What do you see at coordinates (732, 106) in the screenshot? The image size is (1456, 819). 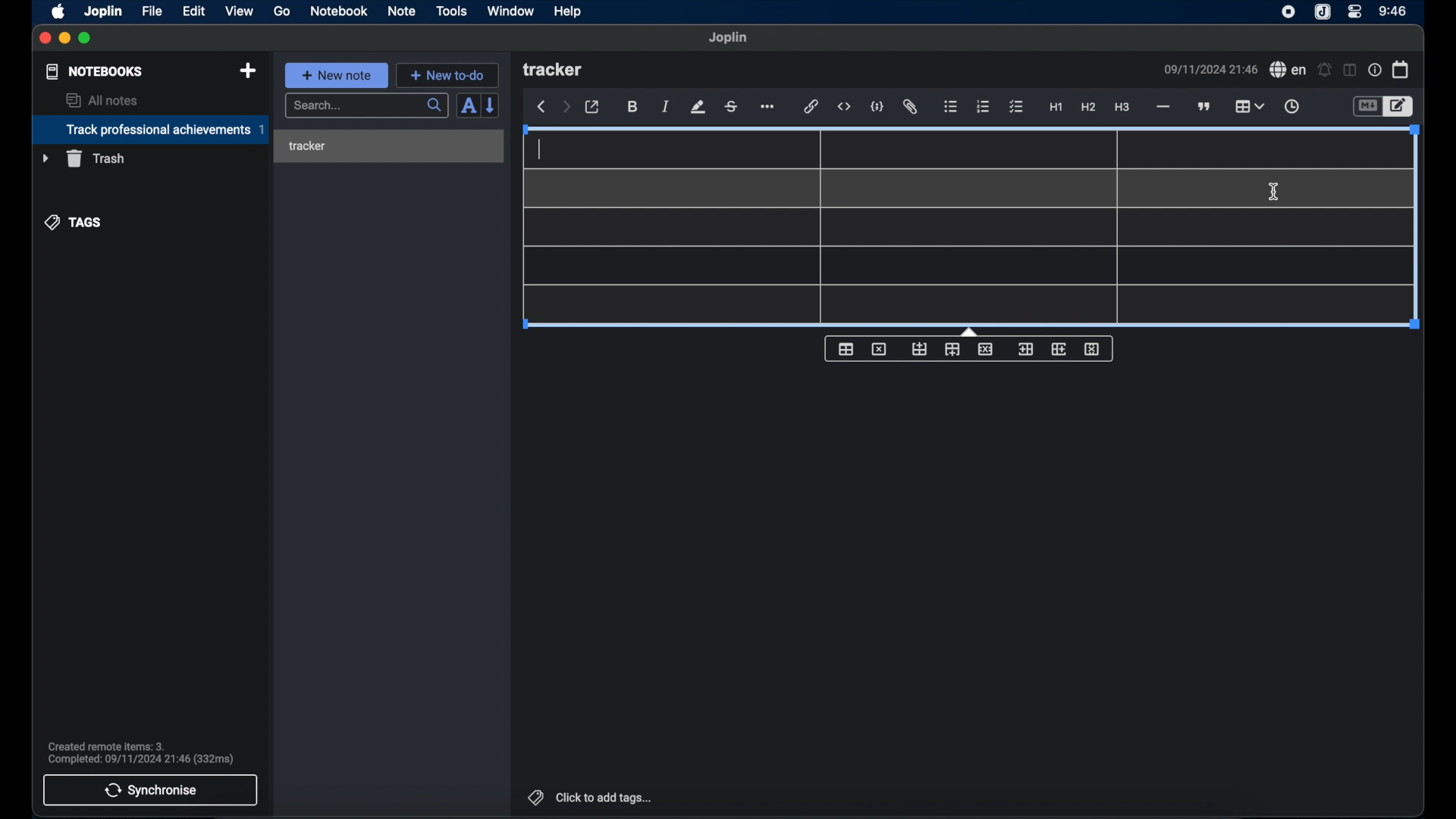 I see `strikethrough` at bounding box center [732, 106].